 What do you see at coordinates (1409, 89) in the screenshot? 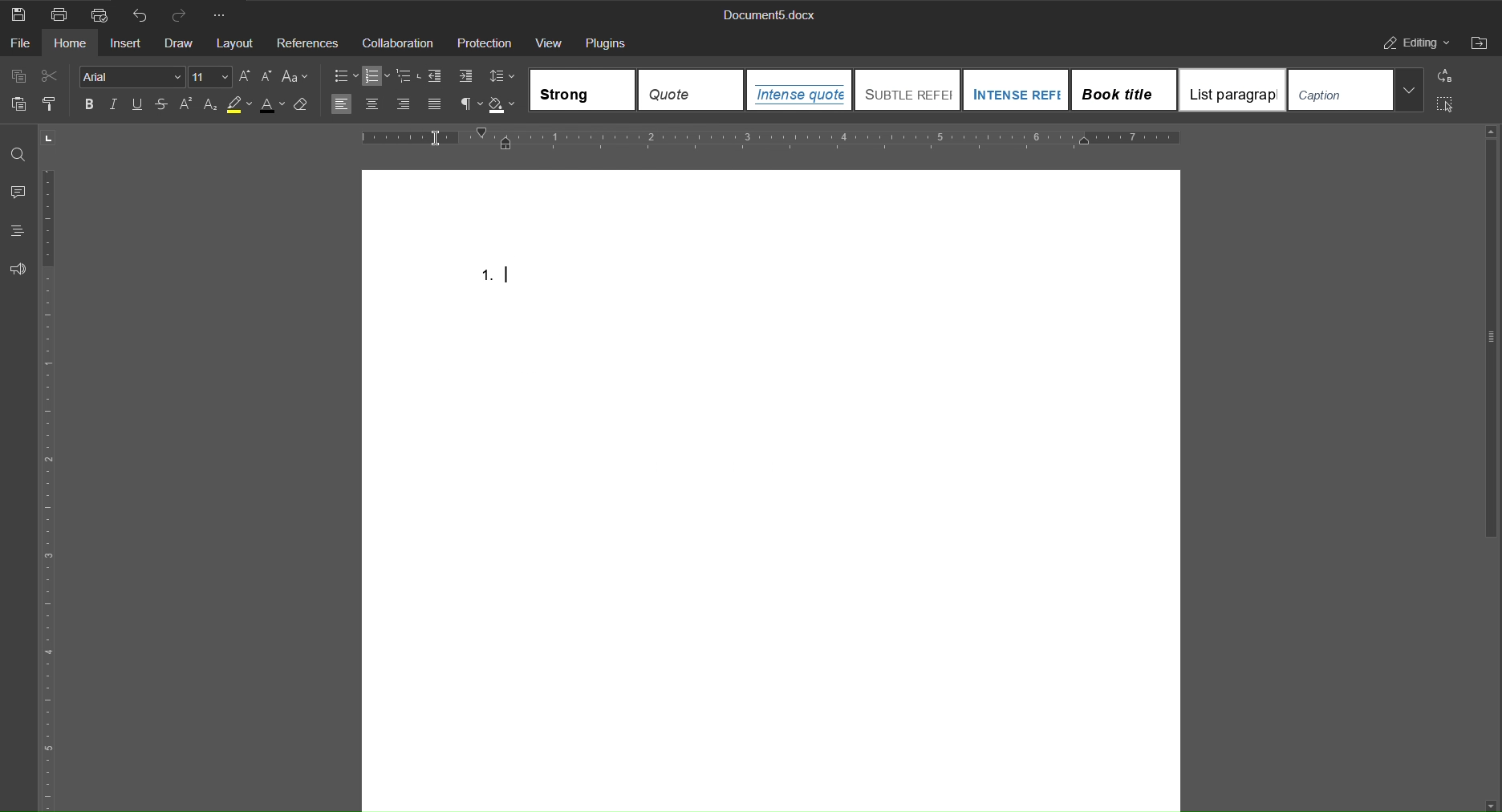
I see `More templates` at bounding box center [1409, 89].